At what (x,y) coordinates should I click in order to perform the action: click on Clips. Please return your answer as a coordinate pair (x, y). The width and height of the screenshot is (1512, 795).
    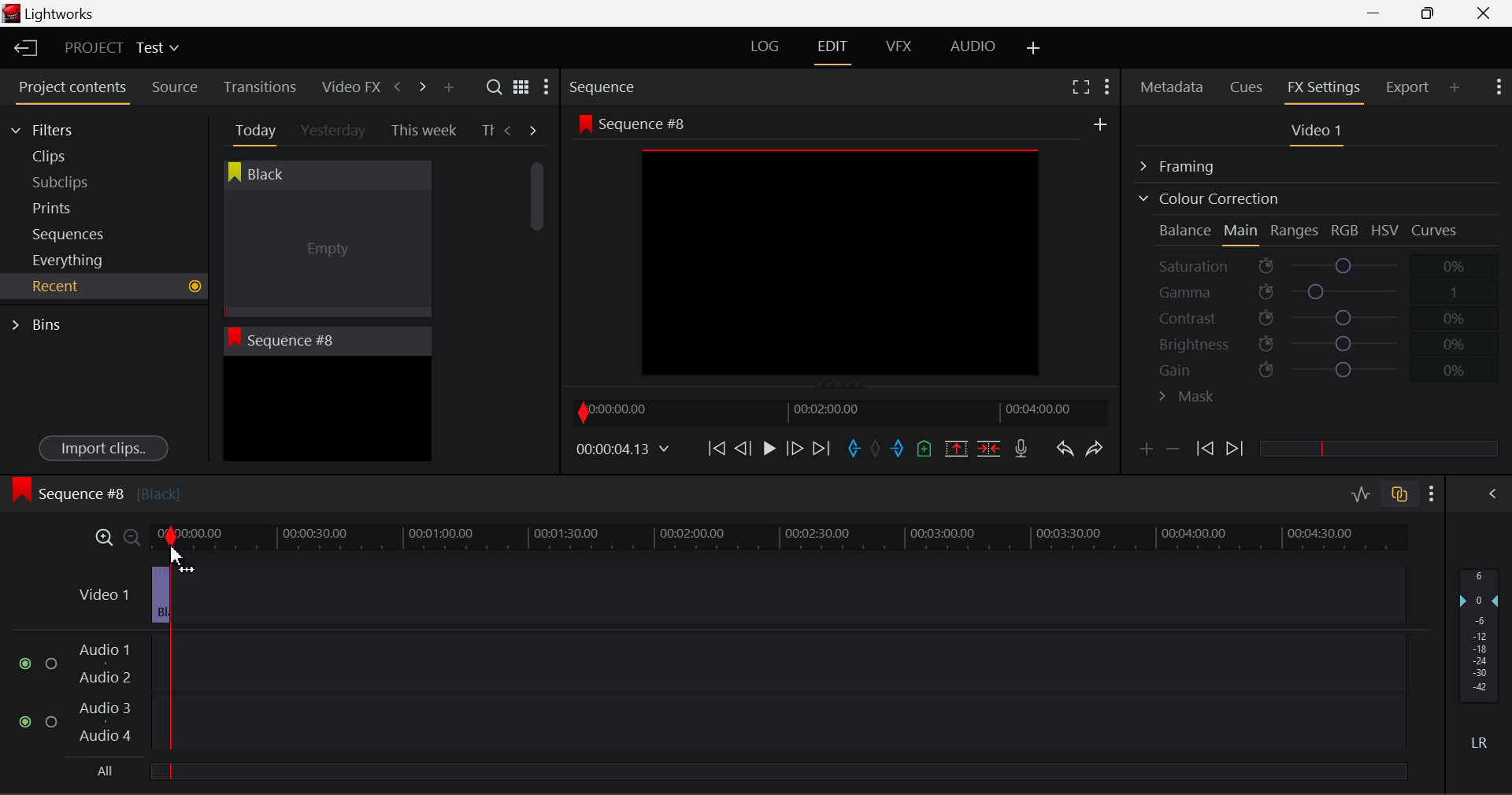
    Looking at the image, I should click on (77, 156).